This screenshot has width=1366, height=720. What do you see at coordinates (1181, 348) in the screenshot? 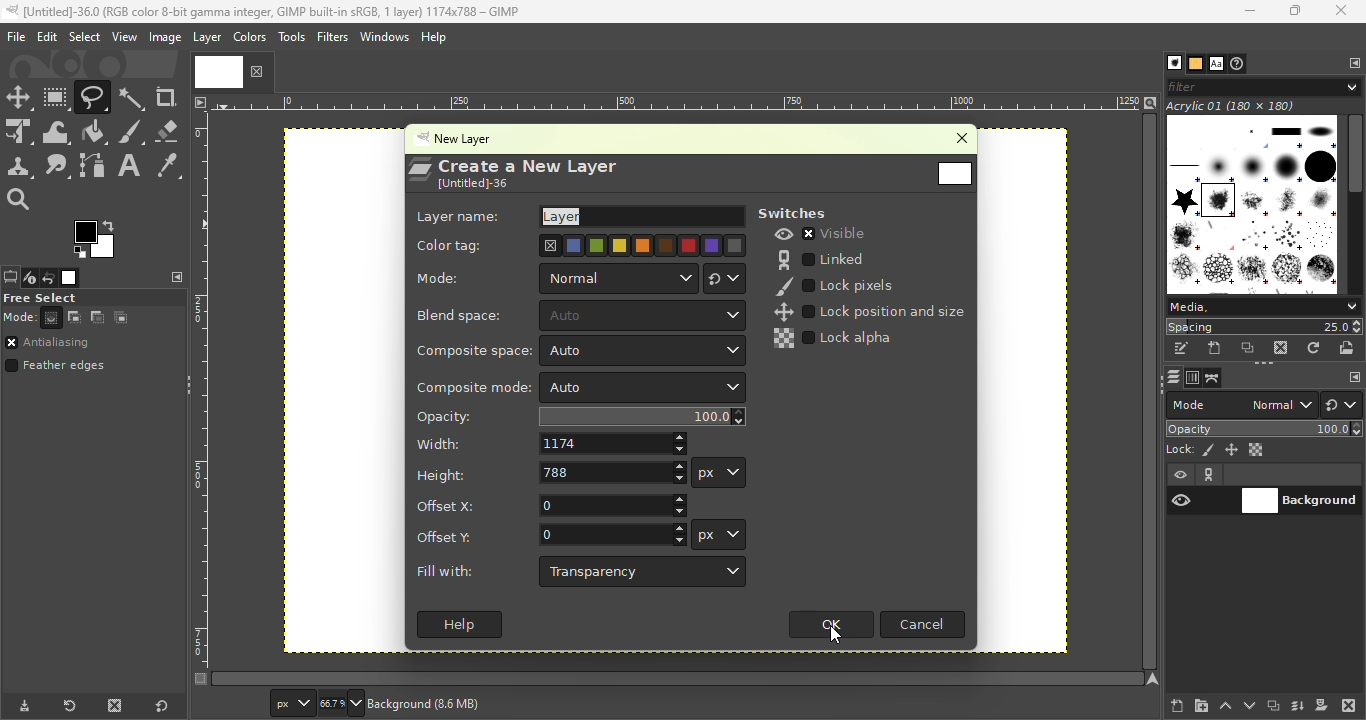
I see `Edit this brush` at bounding box center [1181, 348].